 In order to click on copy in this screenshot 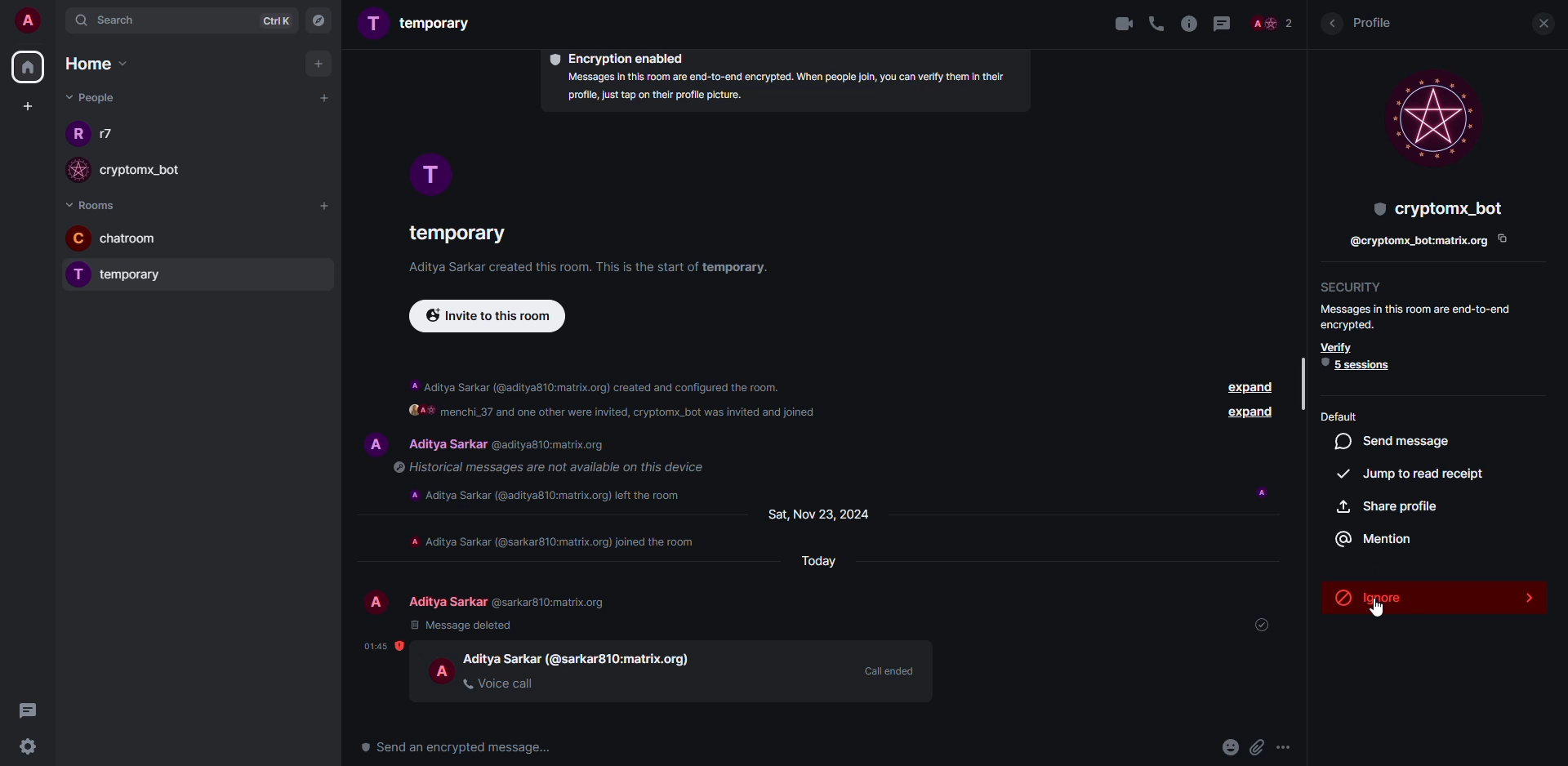, I will do `click(1502, 238)`.